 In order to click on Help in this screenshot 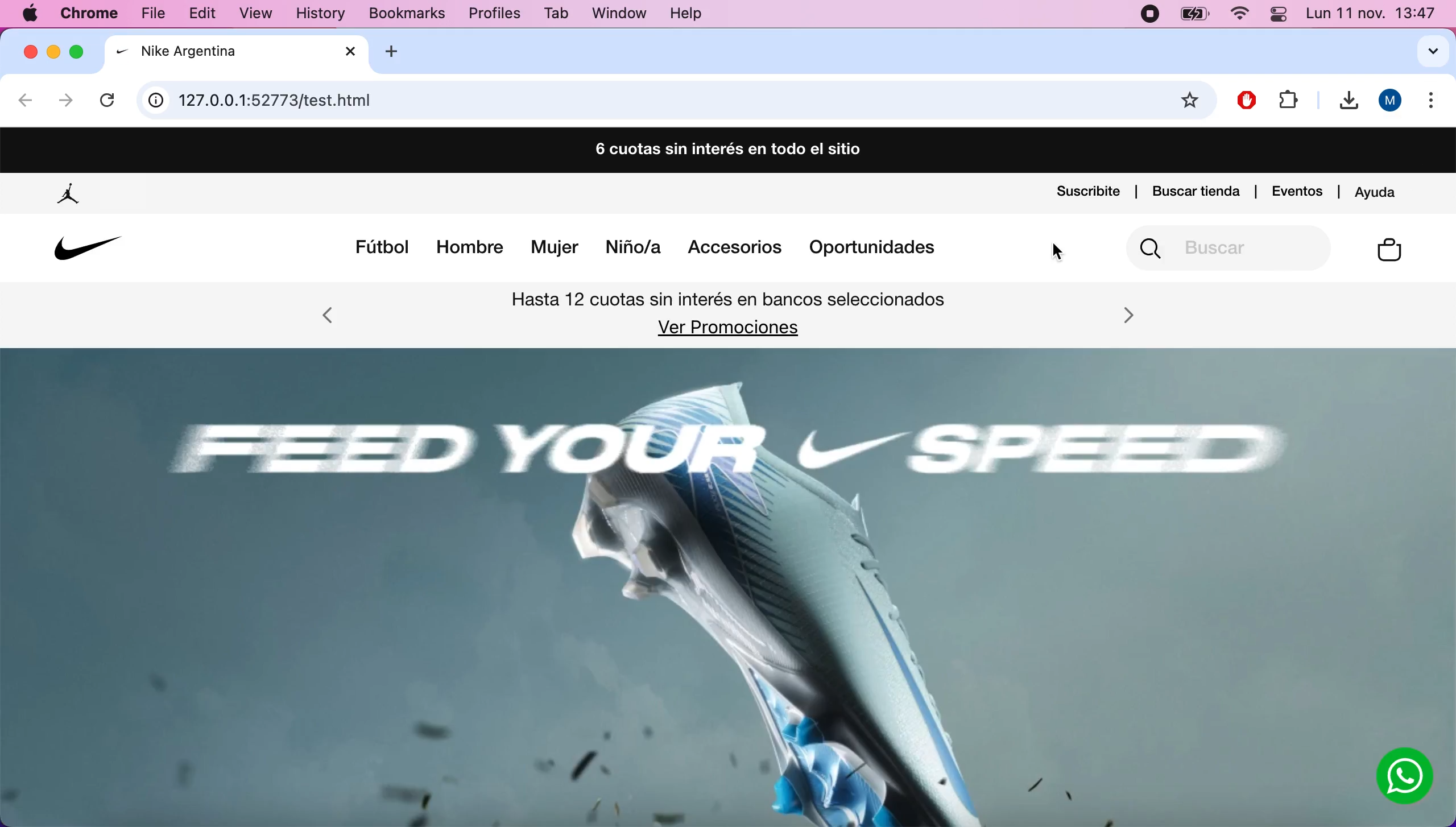, I will do `click(686, 15)`.